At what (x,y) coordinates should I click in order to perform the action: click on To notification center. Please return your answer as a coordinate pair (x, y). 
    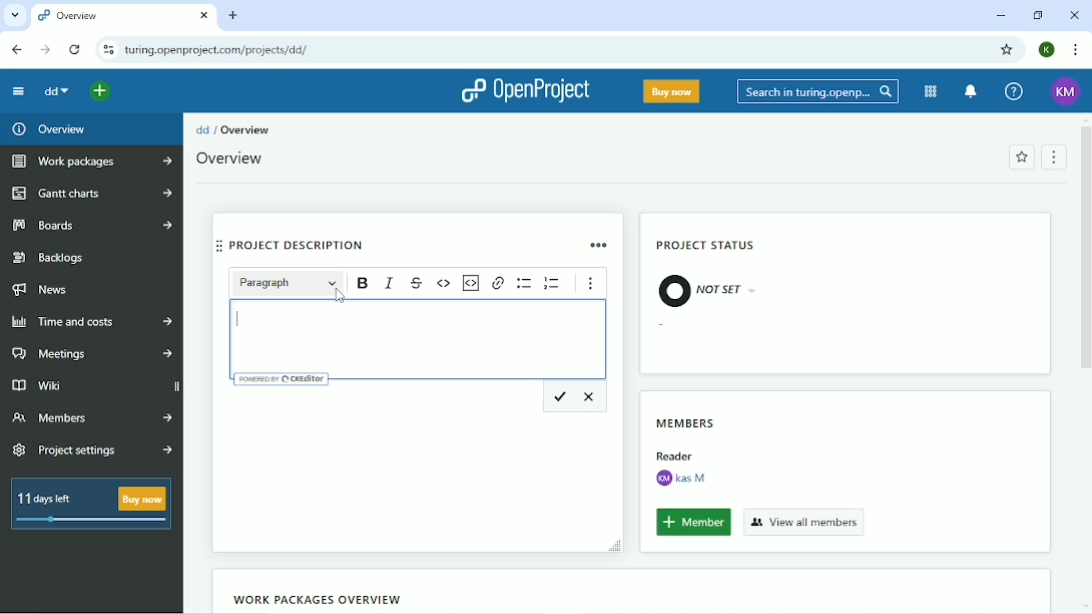
    Looking at the image, I should click on (972, 91).